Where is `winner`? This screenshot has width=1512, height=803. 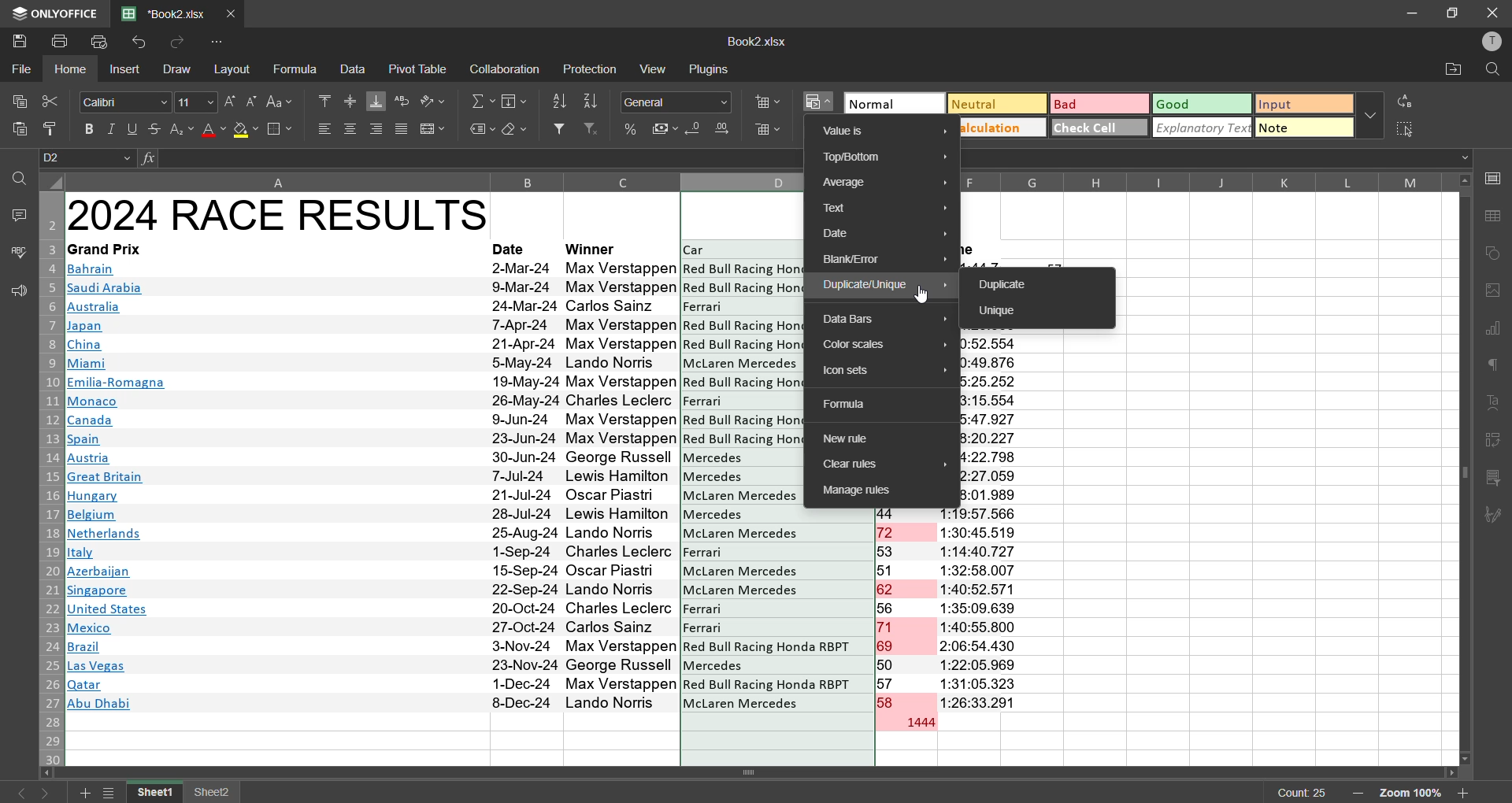
winner is located at coordinates (594, 248).